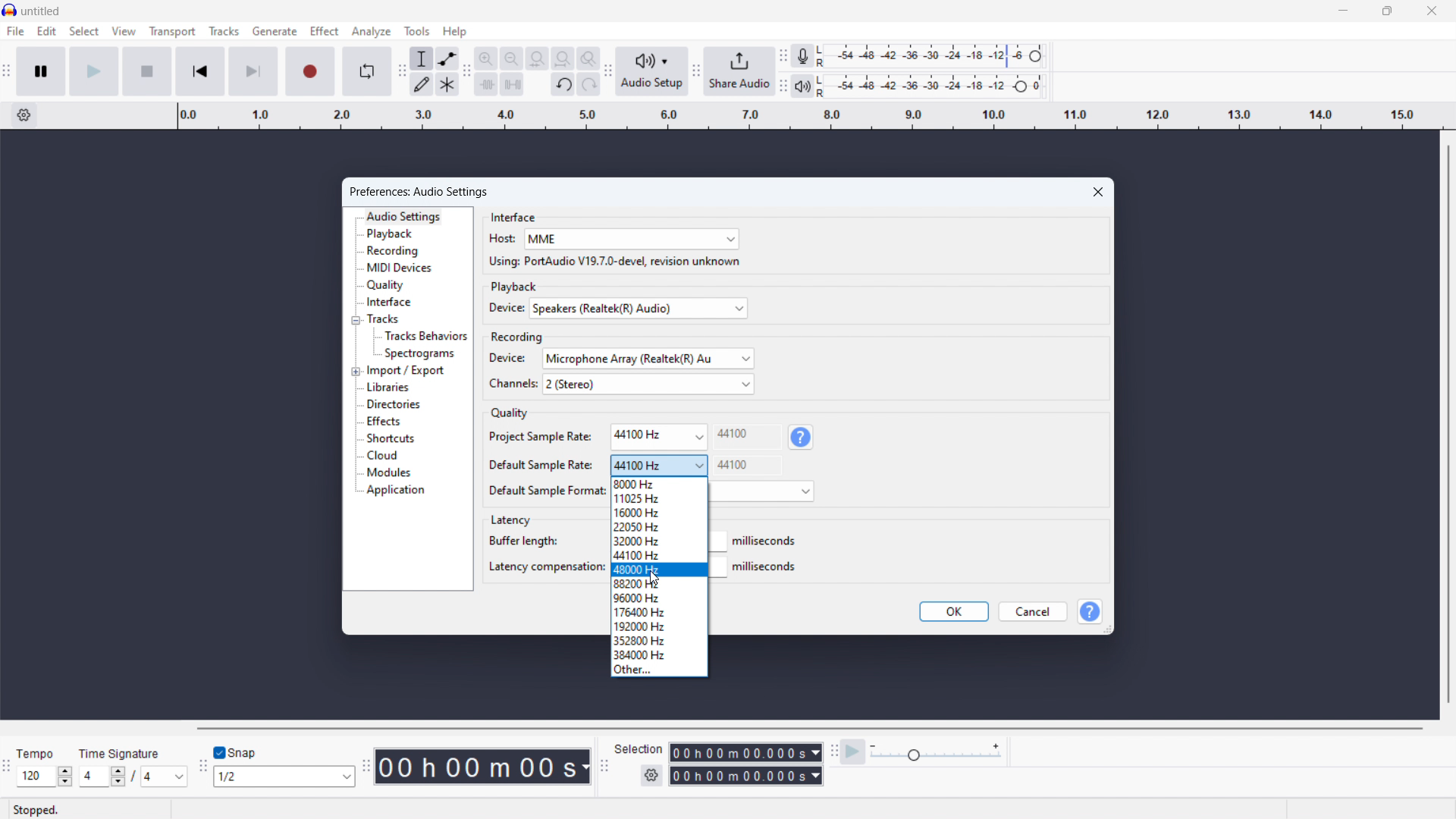 The image size is (1456, 819). Describe the element at coordinates (802, 437) in the screenshot. I see `help` at that location.